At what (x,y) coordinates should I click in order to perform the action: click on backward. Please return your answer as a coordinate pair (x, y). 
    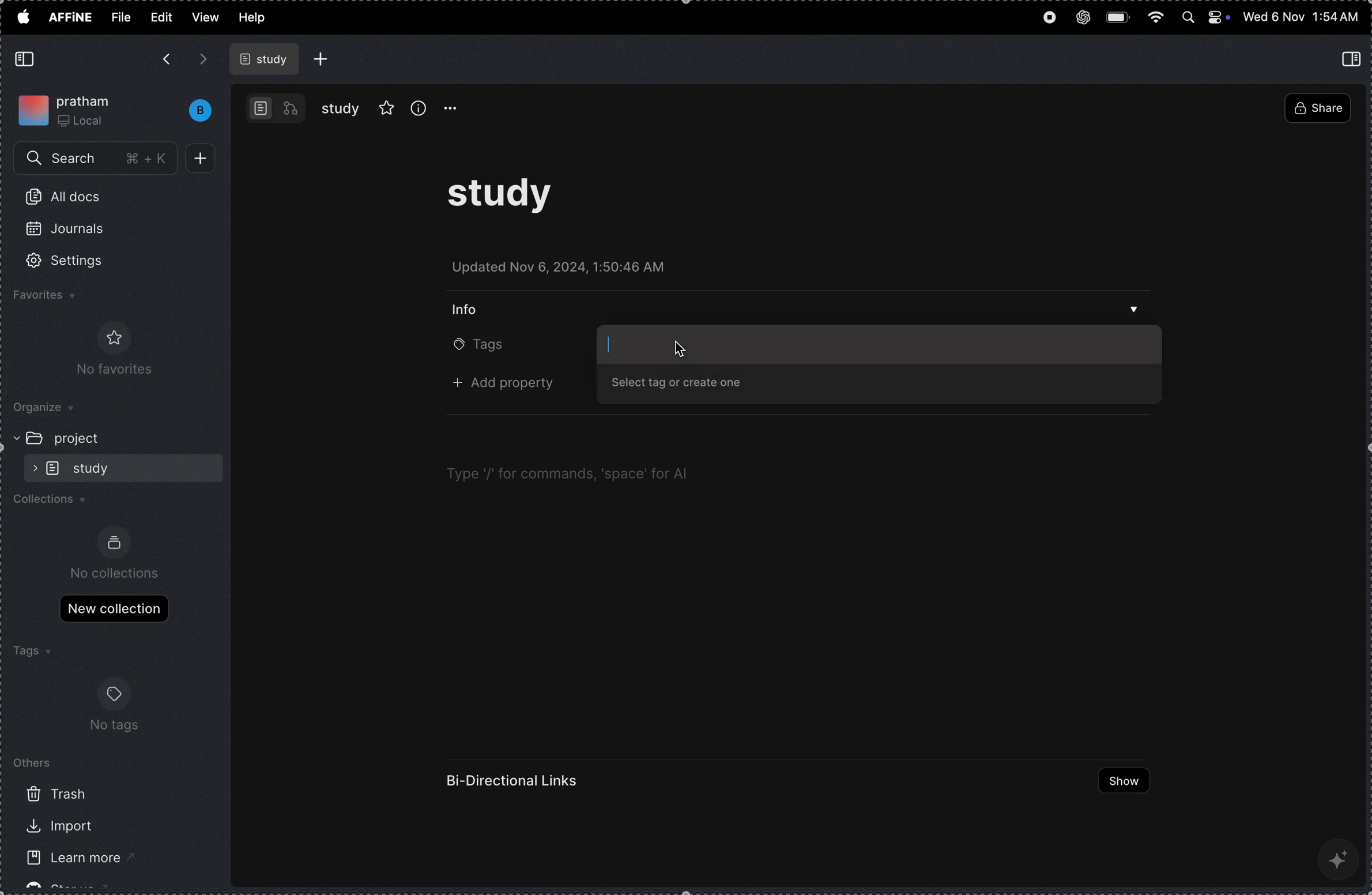
    Looking at the image, I should click on (165, 61).